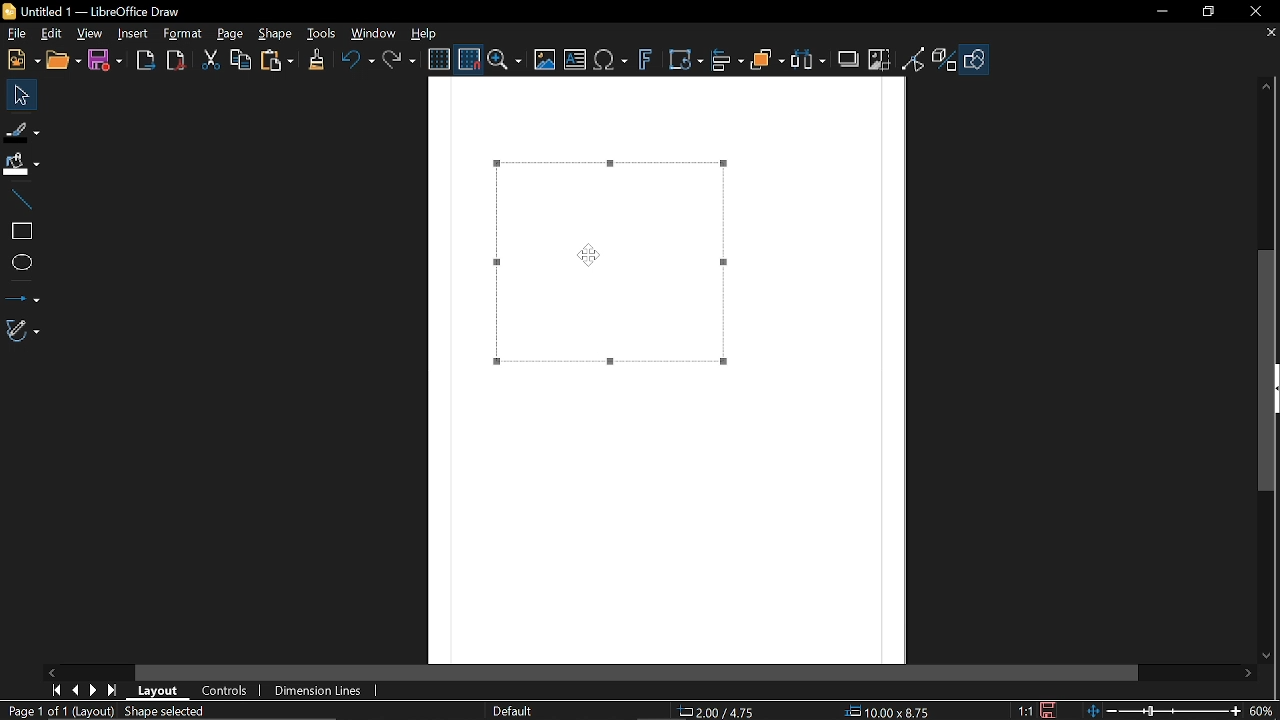 The width and height of the screenshot is (1280, 720). What do you see at coordinates (914, 60) in the screenshot?
I see `Toggle point of view` at bounding box center [914, 60].